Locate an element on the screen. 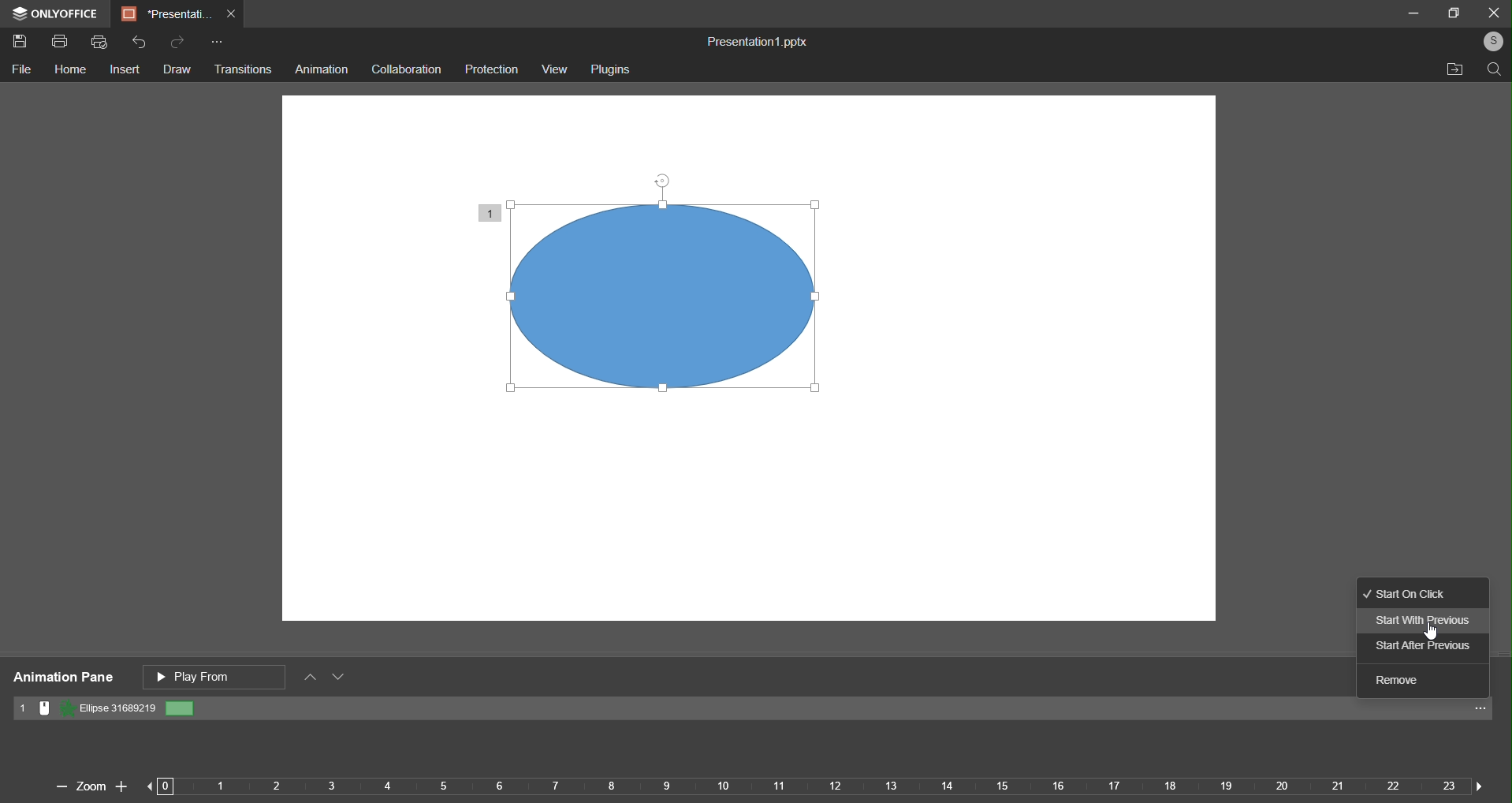 Image resolution: width=1512 pixels, height=803 pixels. Start on click is located at coordinates (1421, 592).